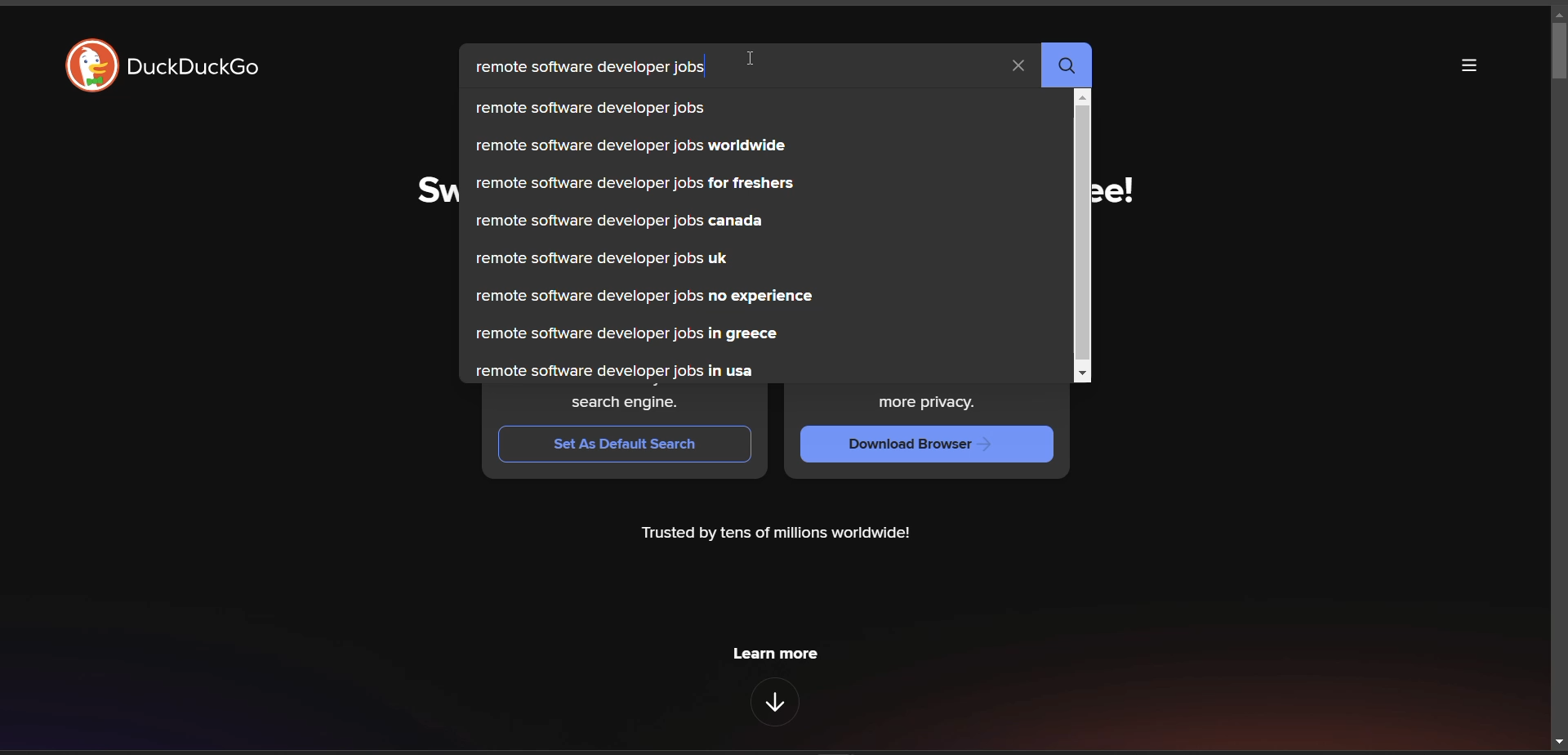 Image resolution: width=1568 pixels, height=755 pixels. Describe the element at coordinates (775, 652) in the screenshot. I see `learn more` at that location.